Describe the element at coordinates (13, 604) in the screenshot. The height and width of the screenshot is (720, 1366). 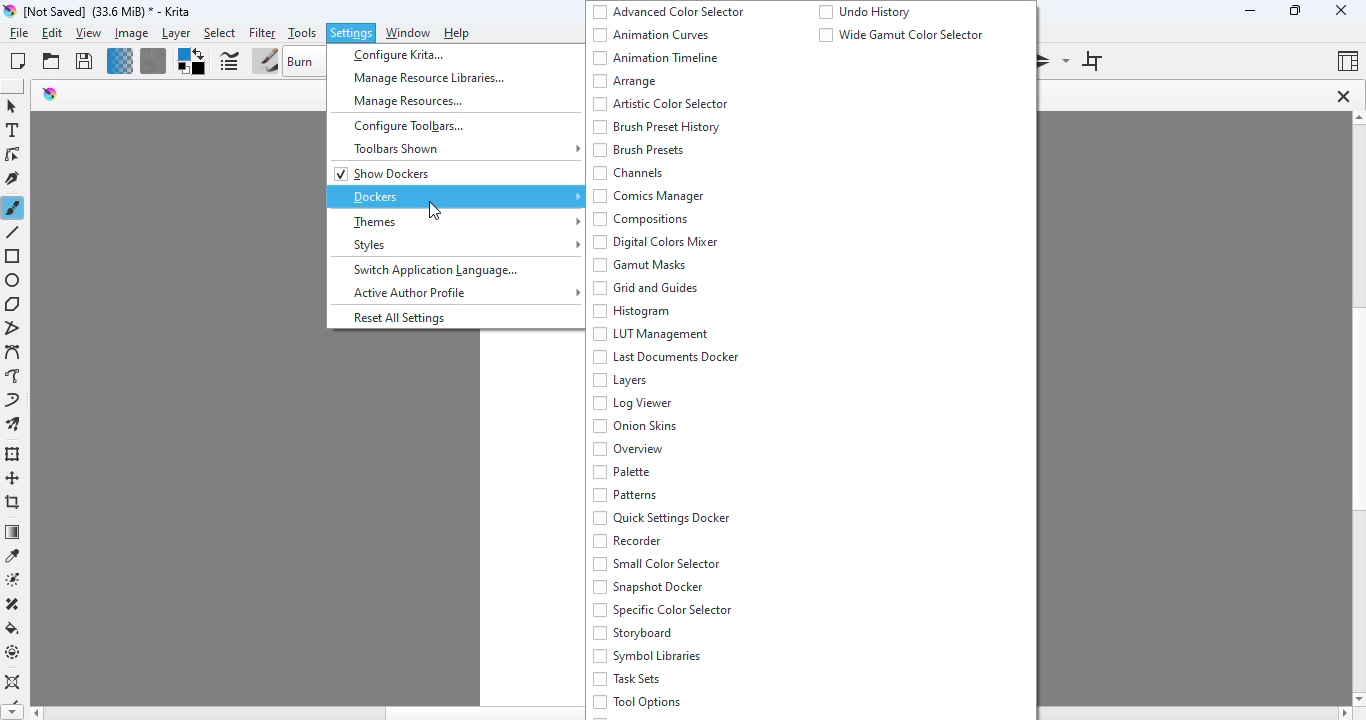
I see `smart patch tool` at that location.